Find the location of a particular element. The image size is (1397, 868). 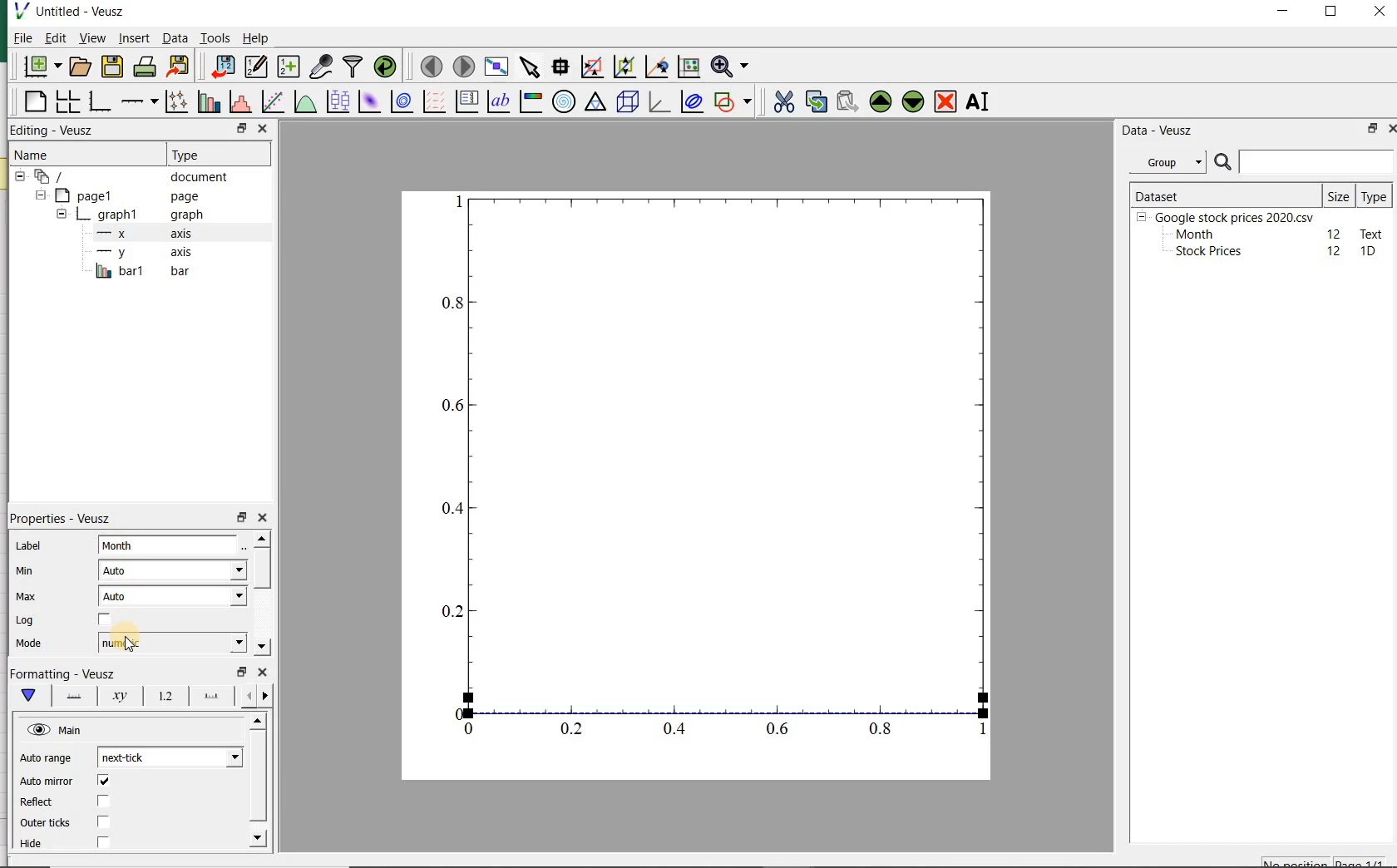

view is located at coordinates (92, 39).